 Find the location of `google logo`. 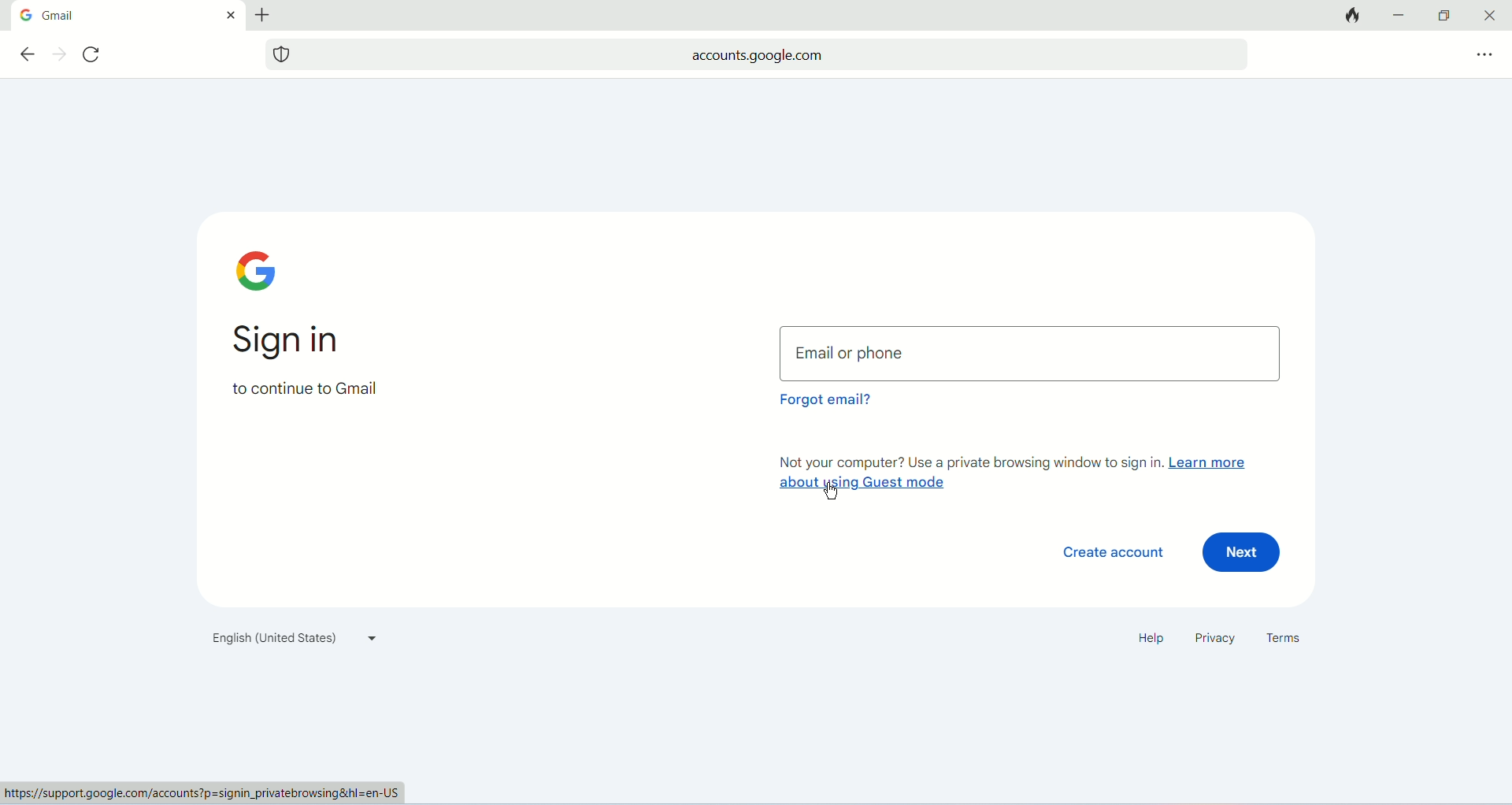

google logo is located at coordinates (25, 15).